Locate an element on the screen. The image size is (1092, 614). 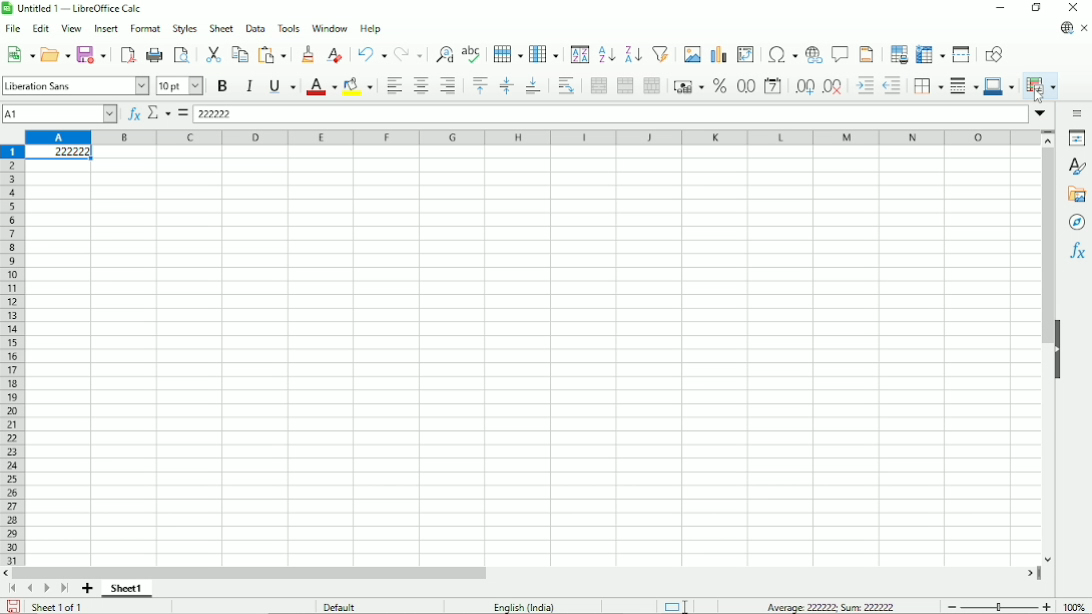
Format is located at coordinates (145, 29).